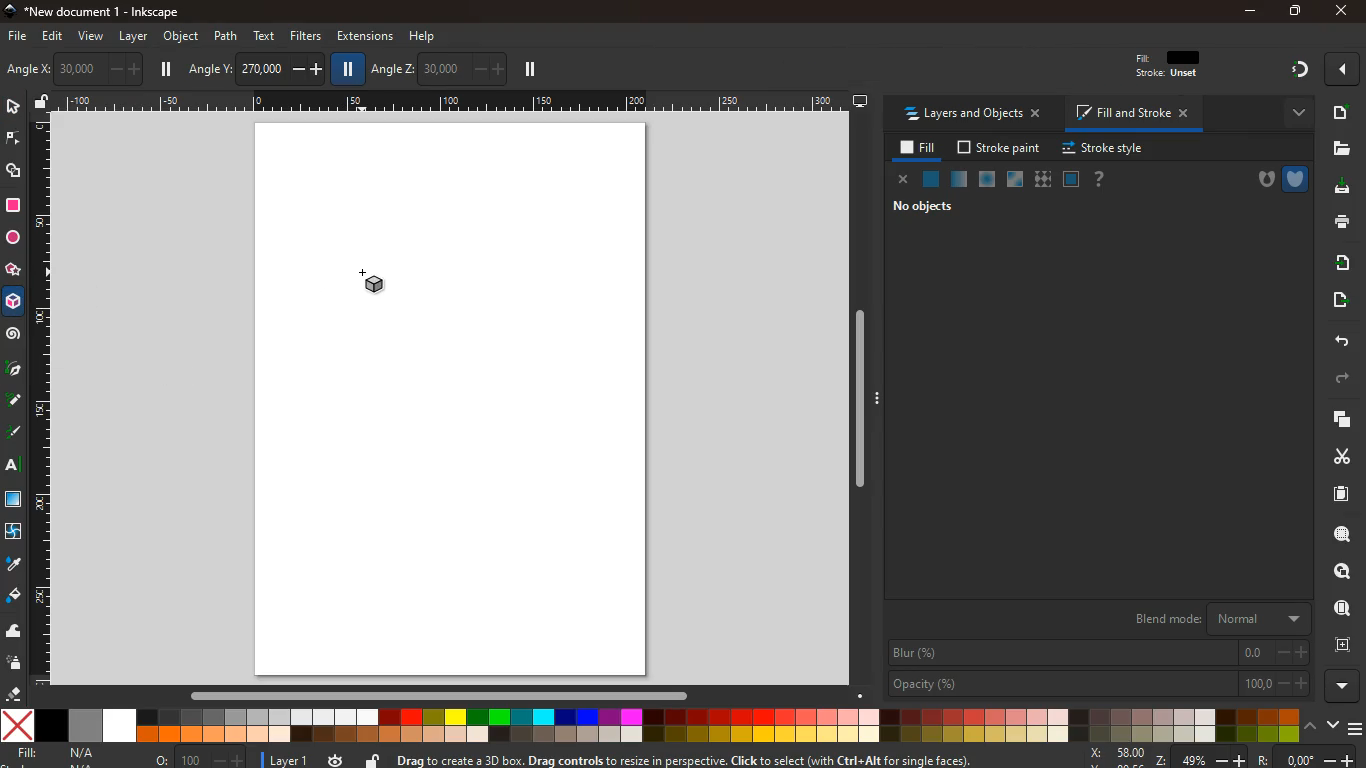  Describe the element at coordinates (984, 179) in the screenshot. I see `ice` at that location.